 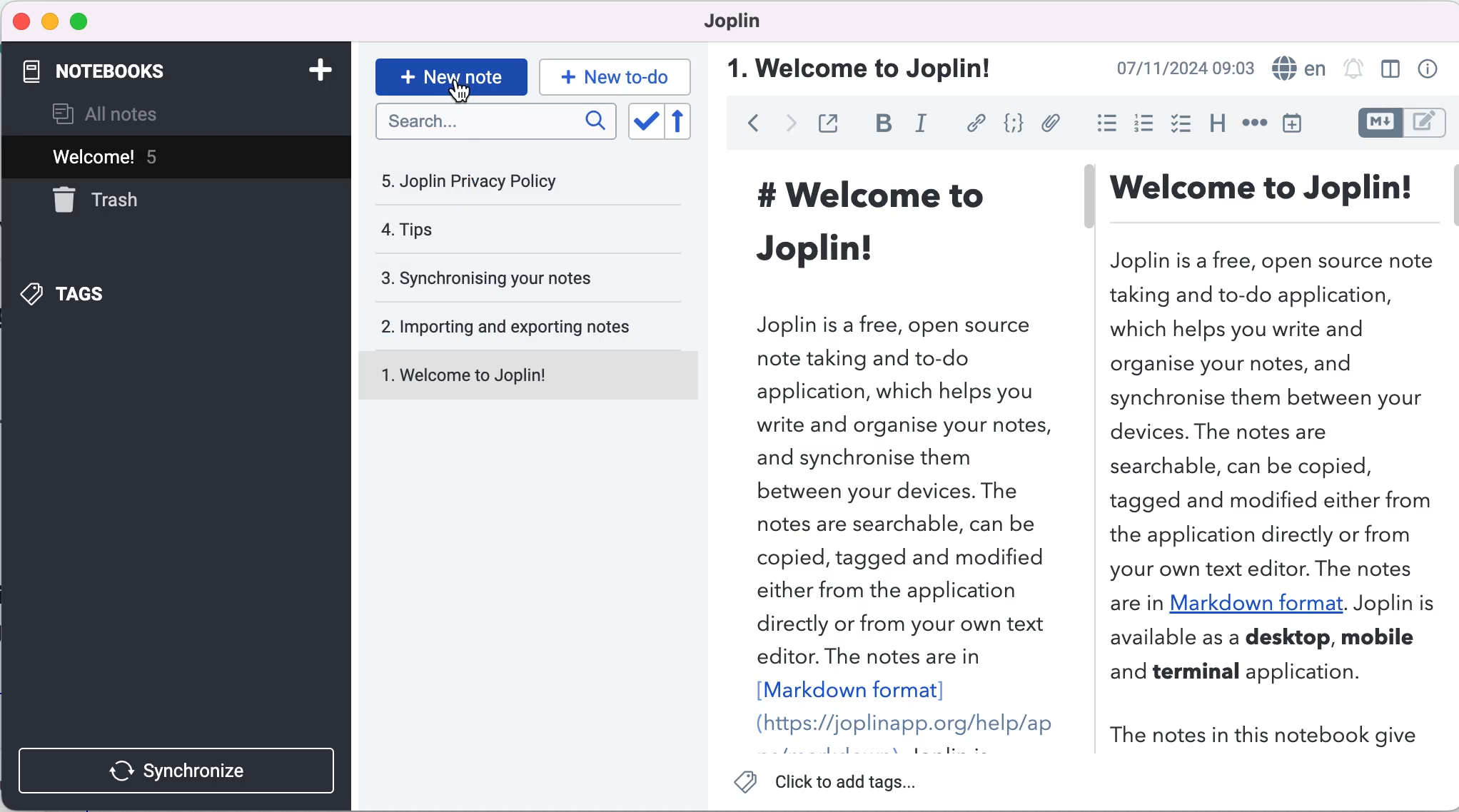 What do you see at coordinates (1271, 462) in the screenshot?
I see `Welcome to Joplin!
Joplin is a free, open source note
taking and to-do application,
which helps you write and
organise your notes, and
synchronise them between your
devices. The notes are
searchable, can be copied,
tagged and modified either from
the application directly or from
your own text editor. The notes
are in Markdown format. Joplin is
available as a desktop, mobile
and terminal application.

The notes in this notebook give` at bounding box center [1271, 462].